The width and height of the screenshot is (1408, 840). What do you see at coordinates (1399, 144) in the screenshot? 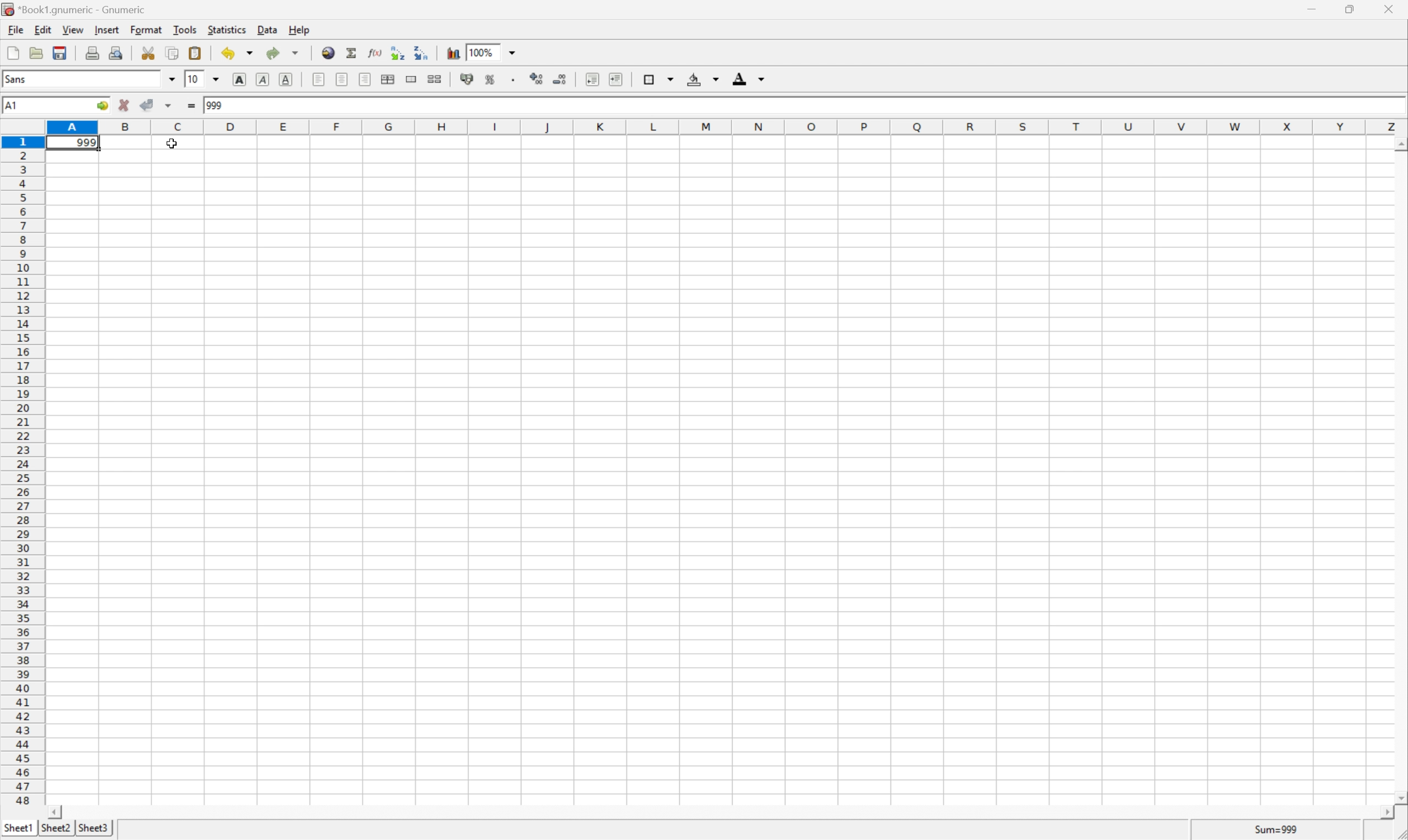
I see `scroll up` at bounding box center [1399, 144].